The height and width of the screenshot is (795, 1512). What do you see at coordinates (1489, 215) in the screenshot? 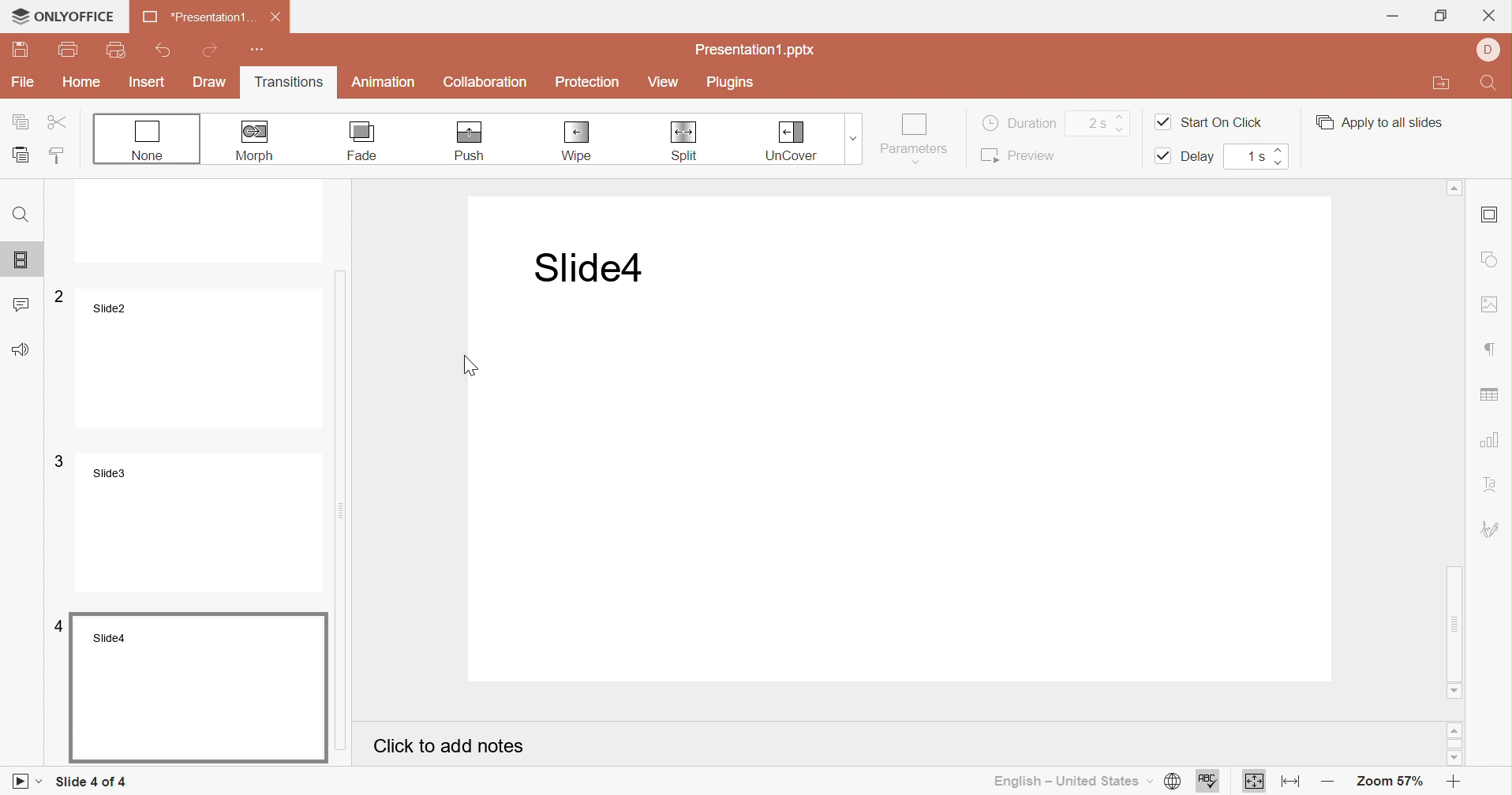
I see `Slide settings` at bounding box center [1489, 215].